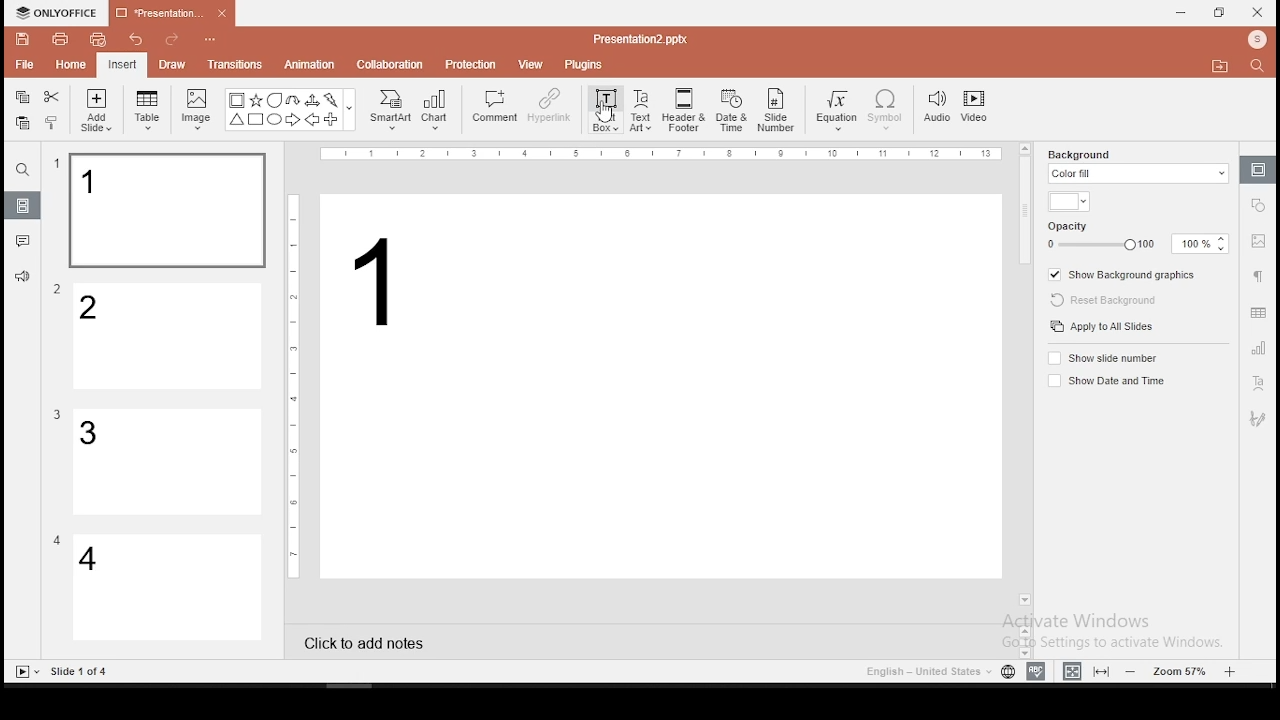  What do you see at coordinates (217, 42) in the screenshot?
I see `` at bounding box center [217, 42].